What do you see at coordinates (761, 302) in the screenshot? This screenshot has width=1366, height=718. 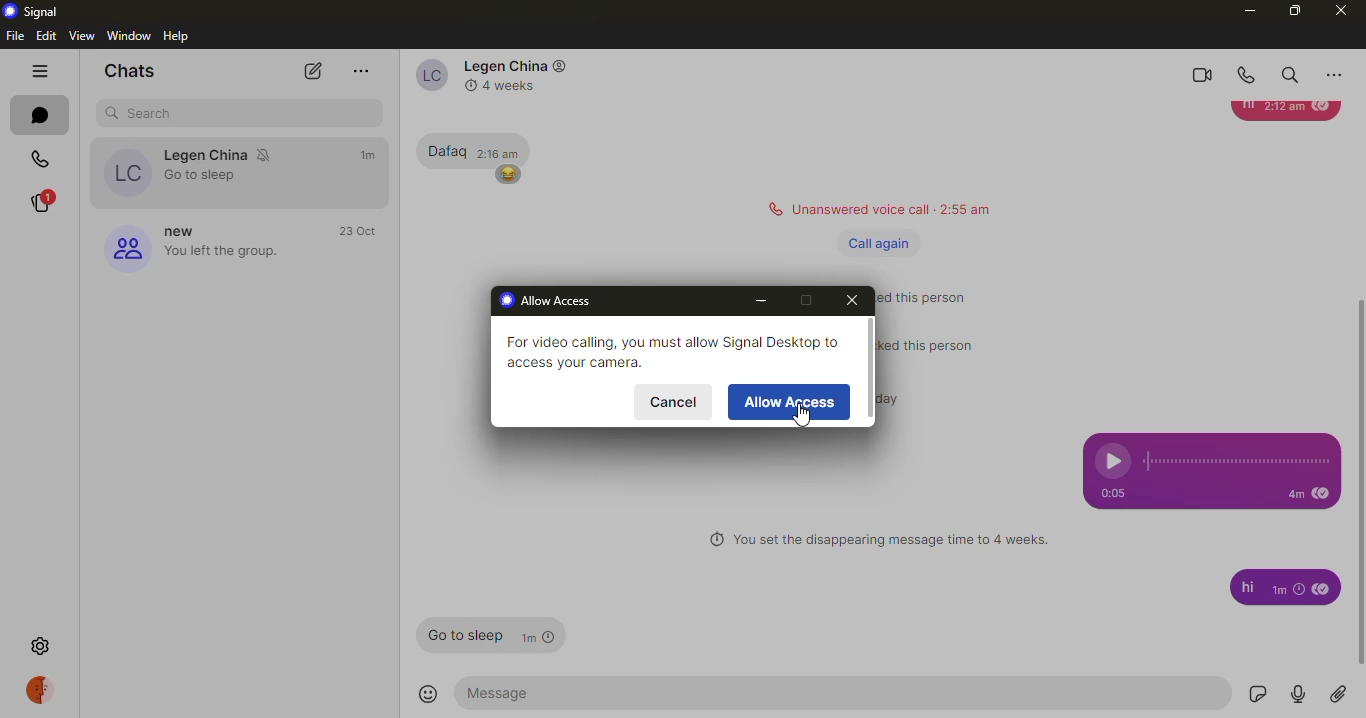 I see `minimize` at bounding box center [761, 302].